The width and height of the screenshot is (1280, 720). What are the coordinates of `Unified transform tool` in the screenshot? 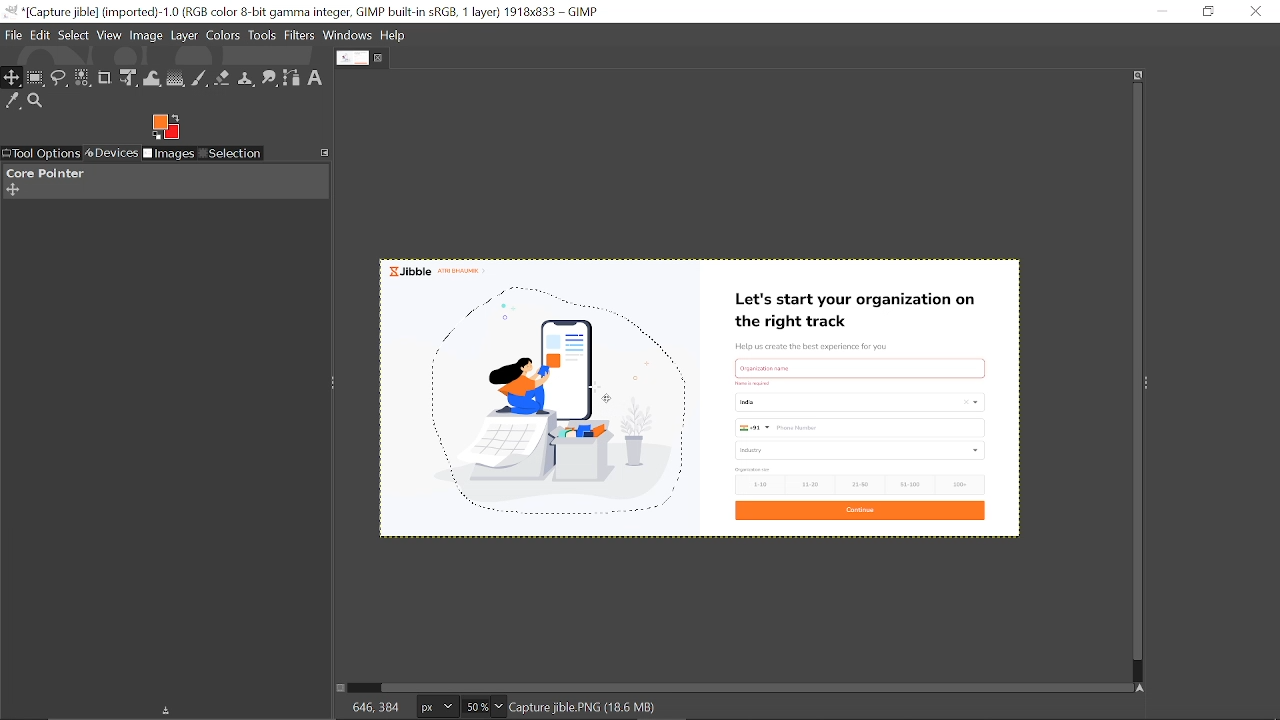 It's located at (127, 78).